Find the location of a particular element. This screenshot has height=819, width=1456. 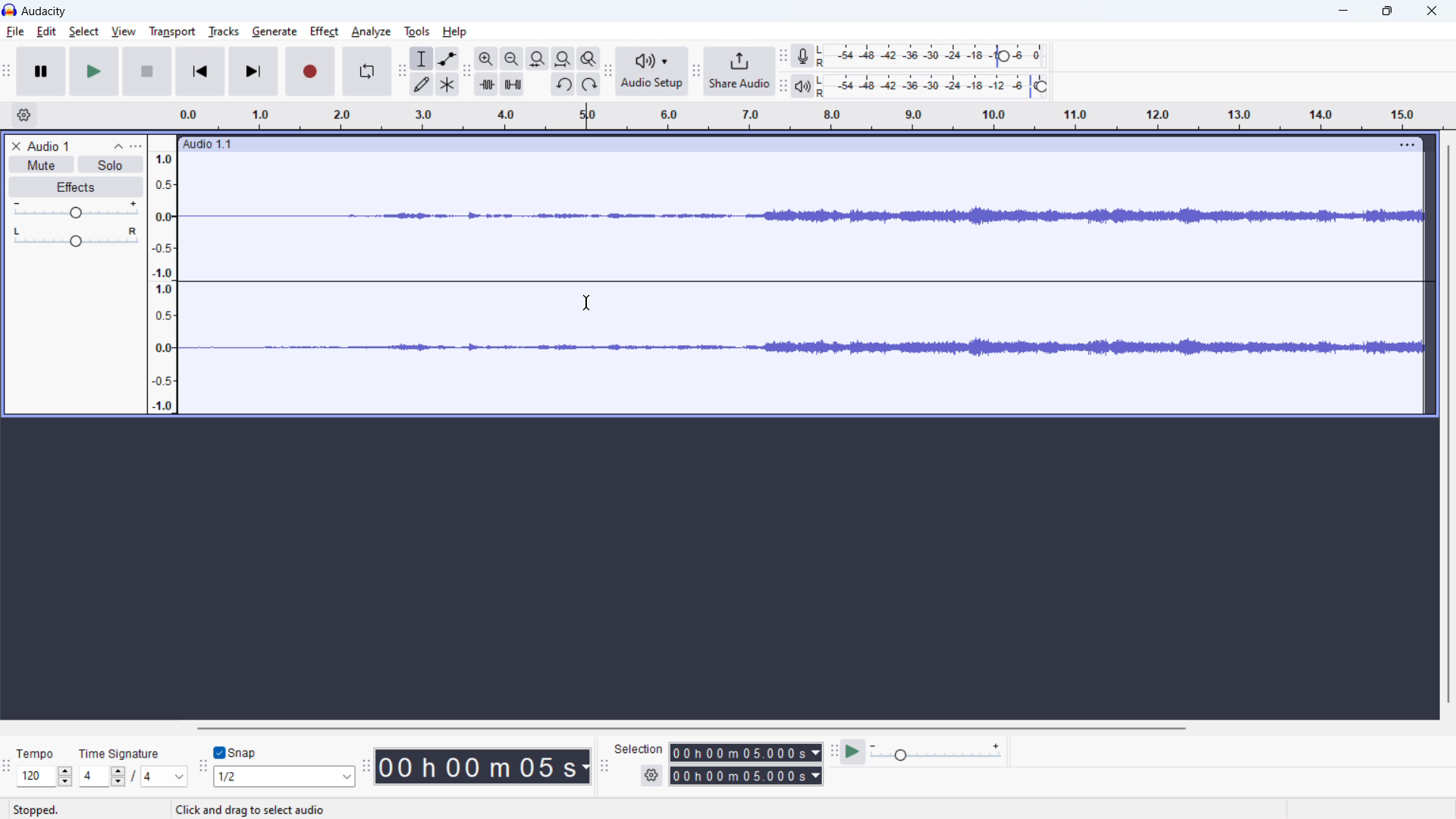

playback level is located at coordinates (942, 84).